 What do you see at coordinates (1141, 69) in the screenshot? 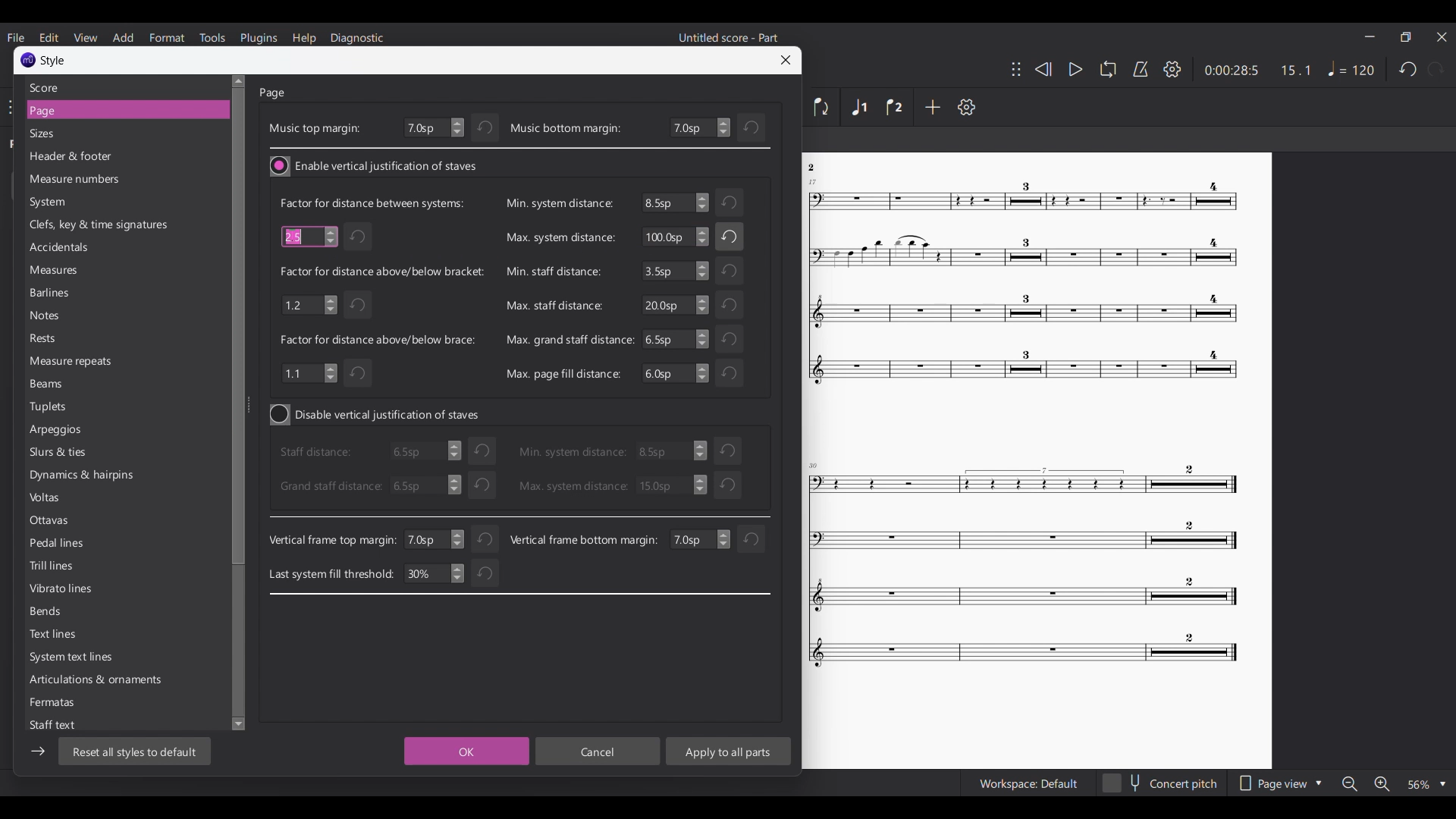
I see `Metronome` at bounding box center [1141, 69].